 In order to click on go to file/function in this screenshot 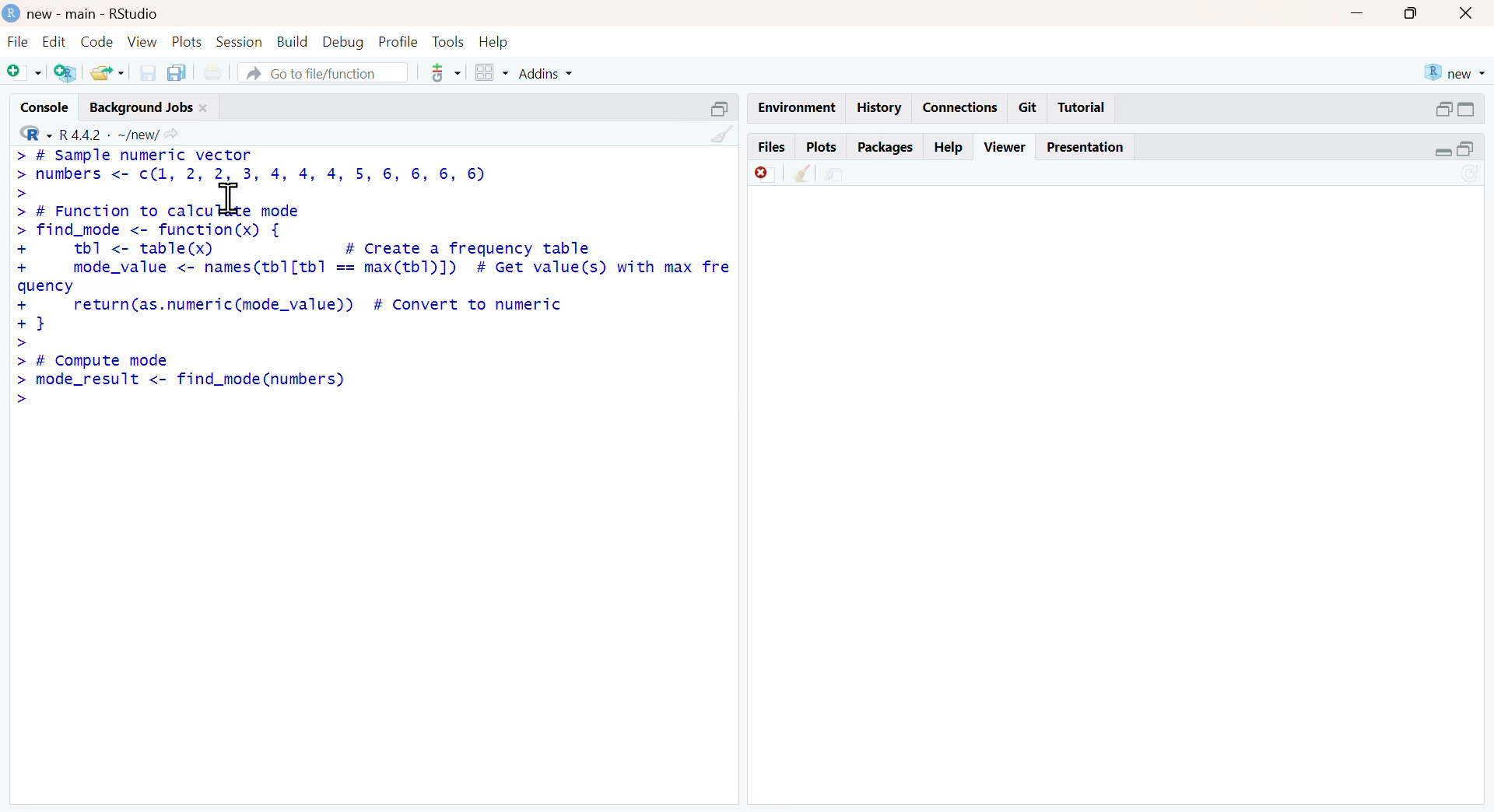, I will do `click(324, 72)`.